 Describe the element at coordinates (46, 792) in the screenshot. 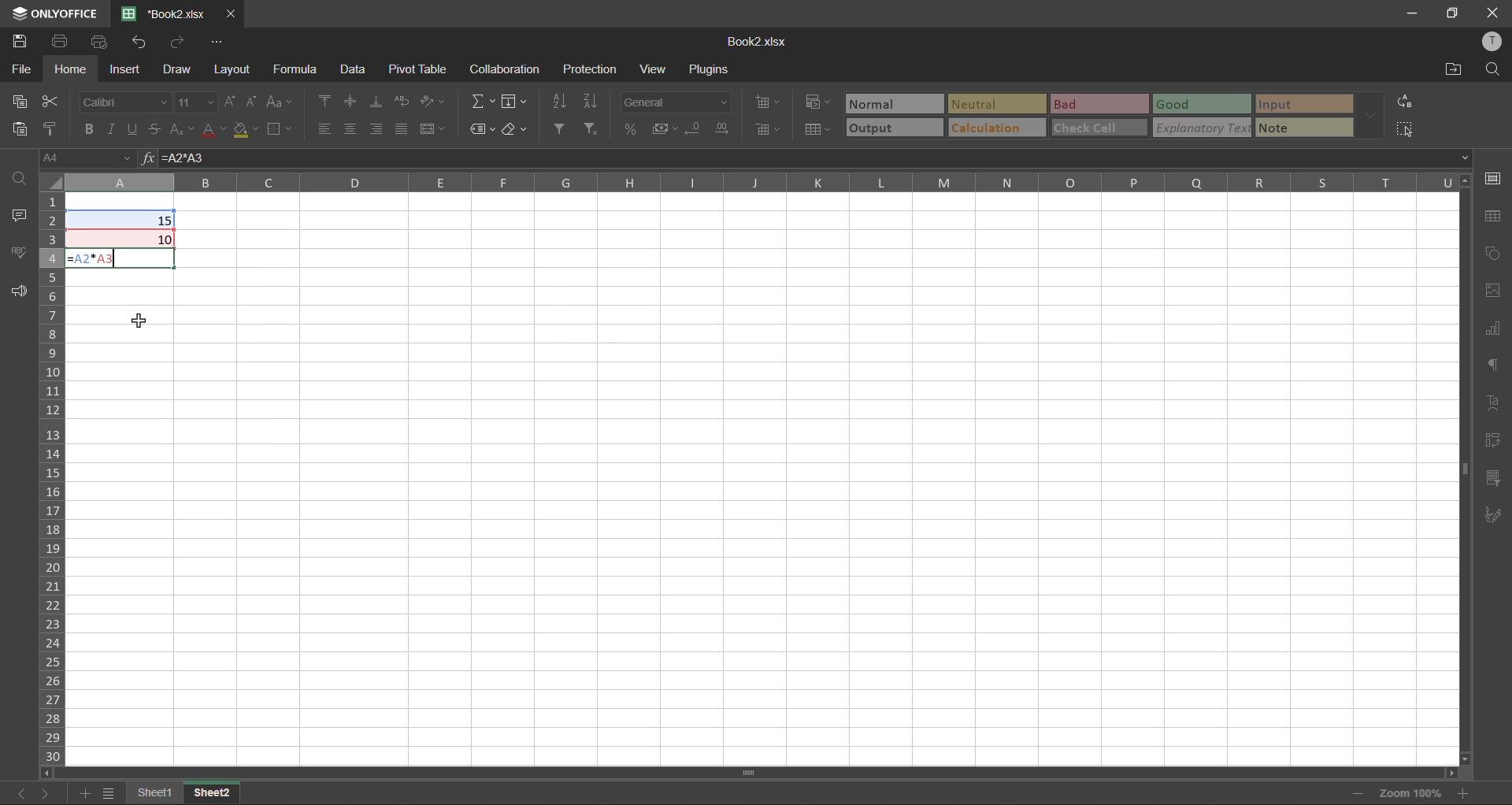

I see `next` at that location.